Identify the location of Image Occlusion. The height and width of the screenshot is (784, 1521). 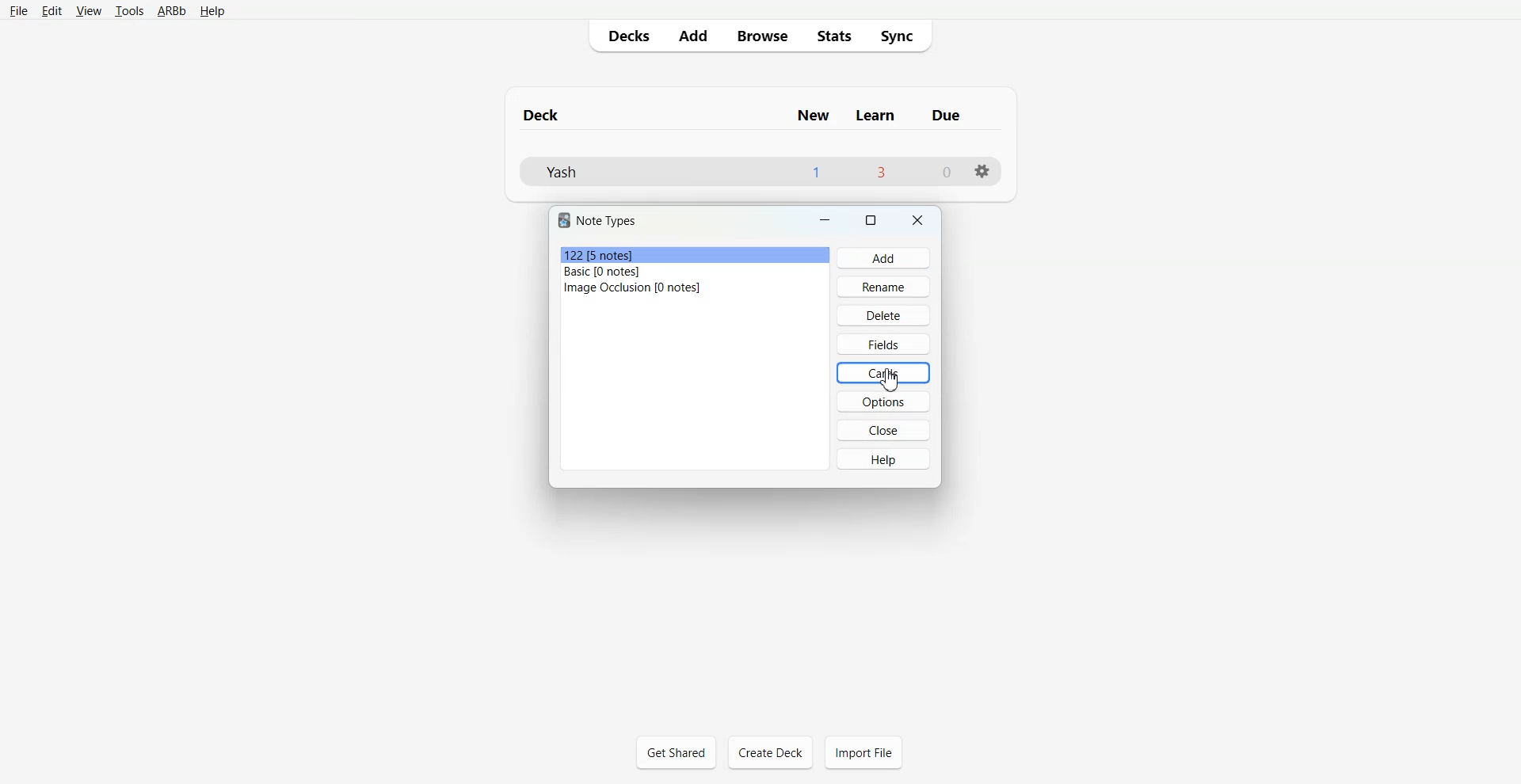
(693, 288).